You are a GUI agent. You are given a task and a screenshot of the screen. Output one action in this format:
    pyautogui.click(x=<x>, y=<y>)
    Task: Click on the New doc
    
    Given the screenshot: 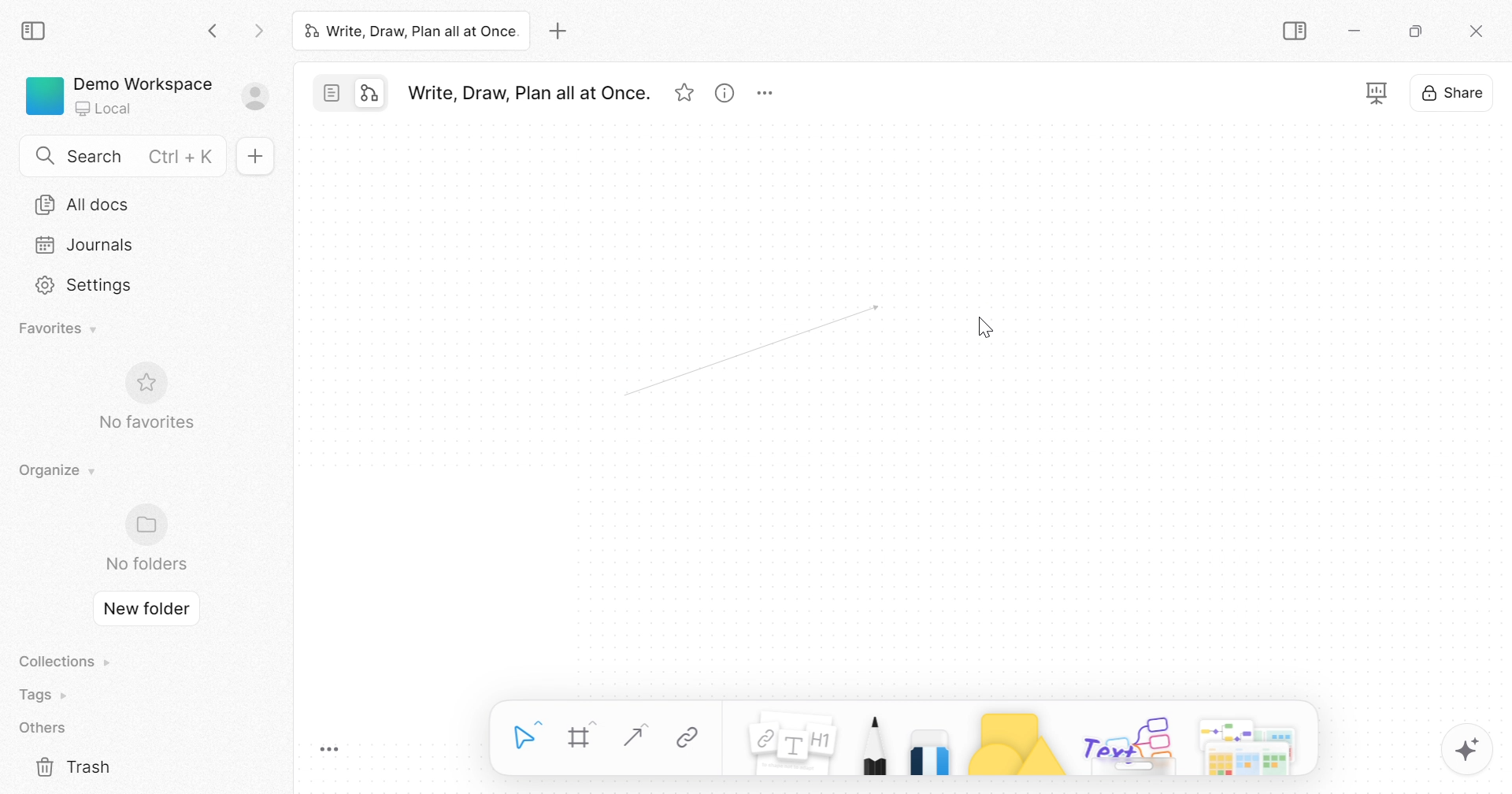 What is the action you would take?
    pyautogui.click(x=258, y=157)
    